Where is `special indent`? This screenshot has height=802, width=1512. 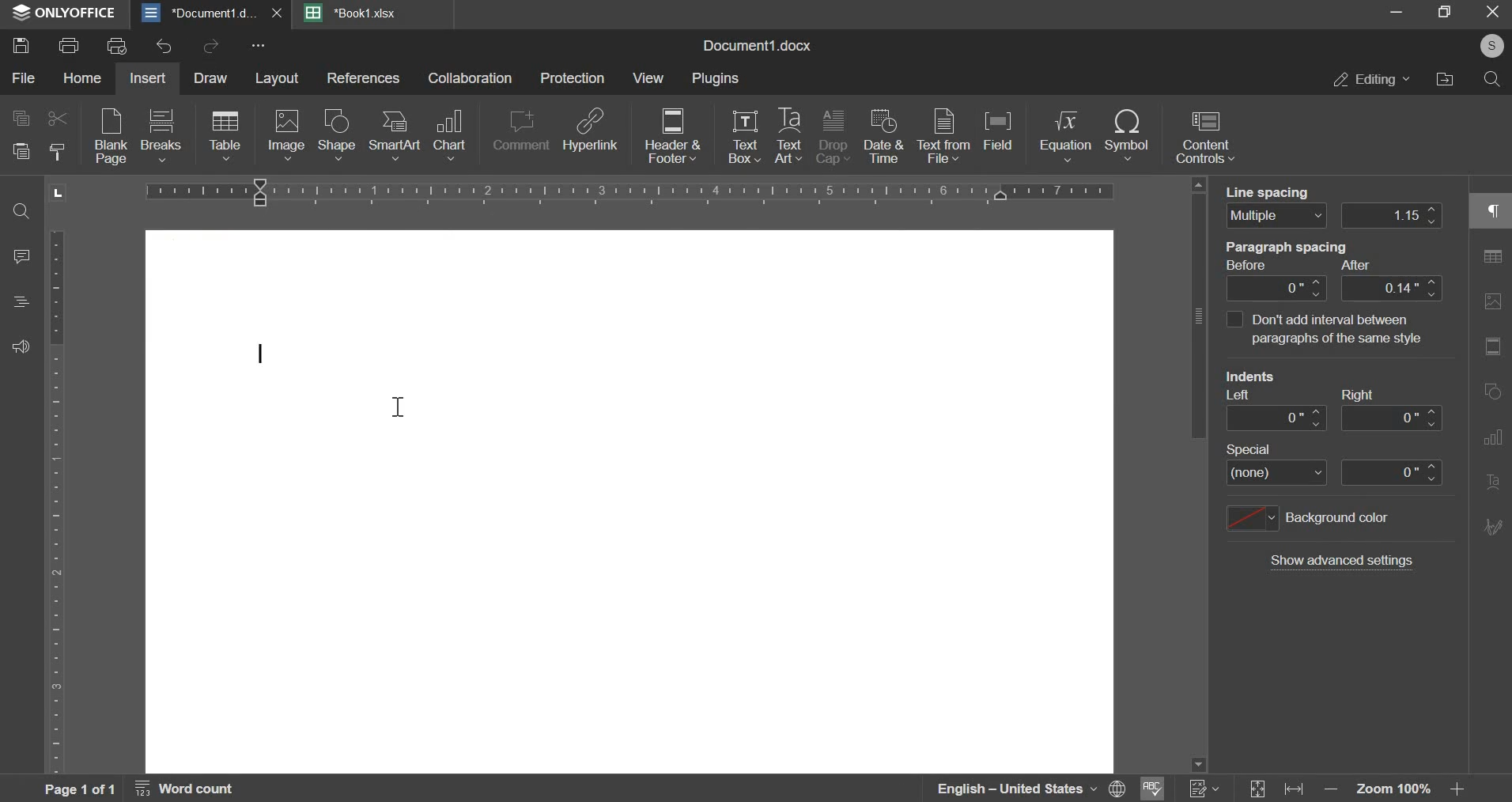
special indent is located at coordinates (1277, 473).